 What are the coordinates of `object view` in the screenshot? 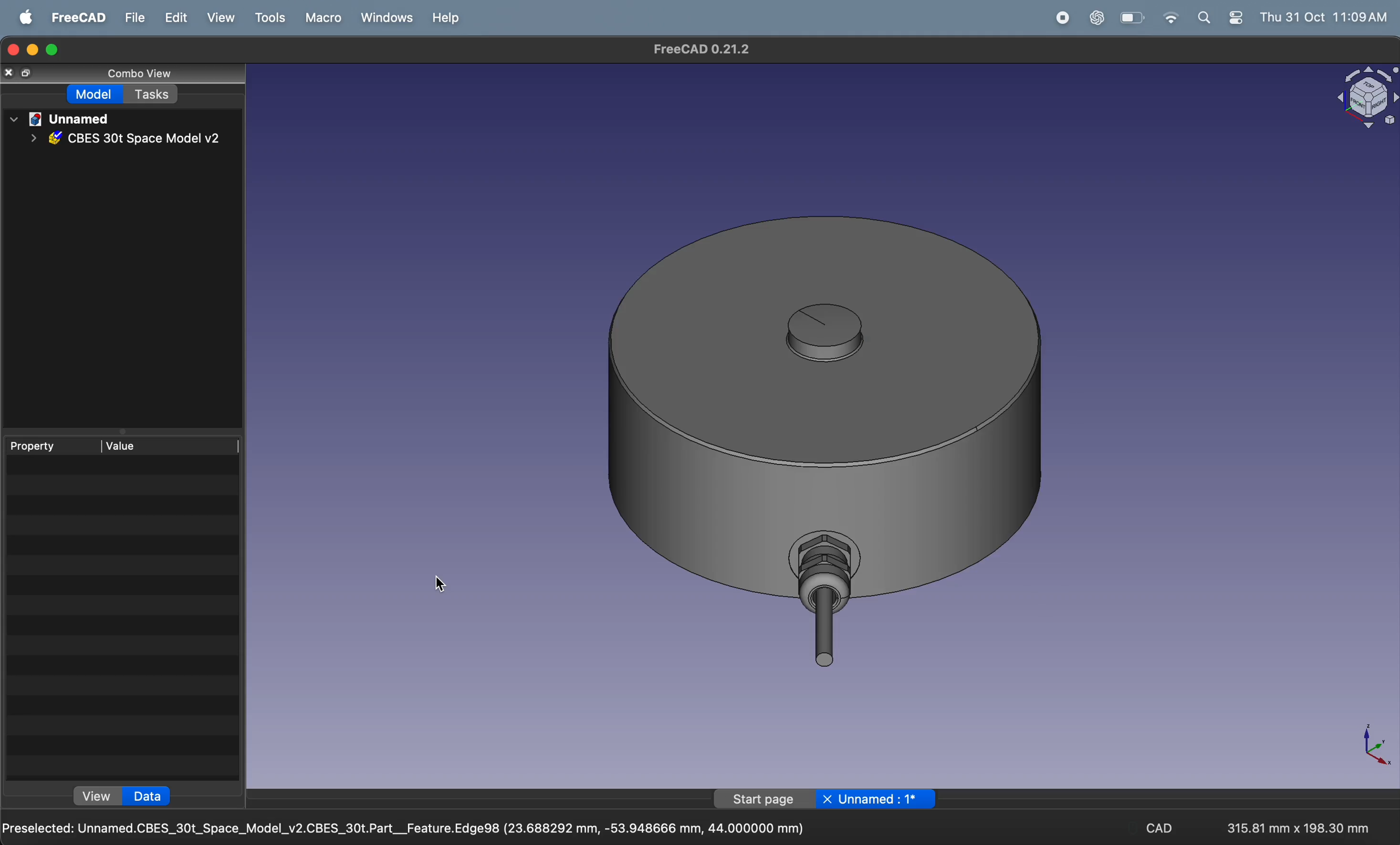 It's located at (1360, 99).